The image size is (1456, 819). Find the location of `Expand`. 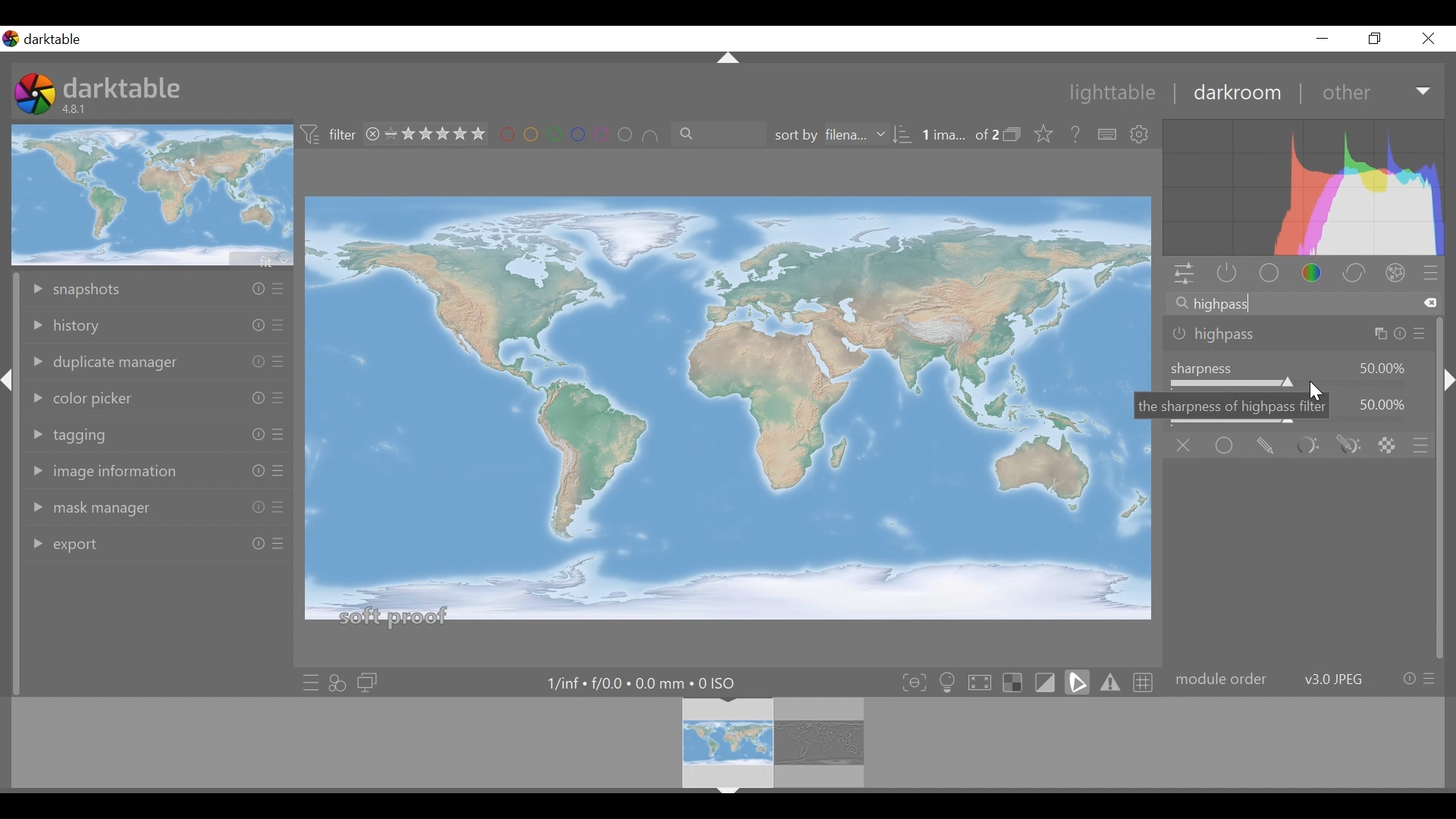

Expand is located at coordinates (1425, 93).